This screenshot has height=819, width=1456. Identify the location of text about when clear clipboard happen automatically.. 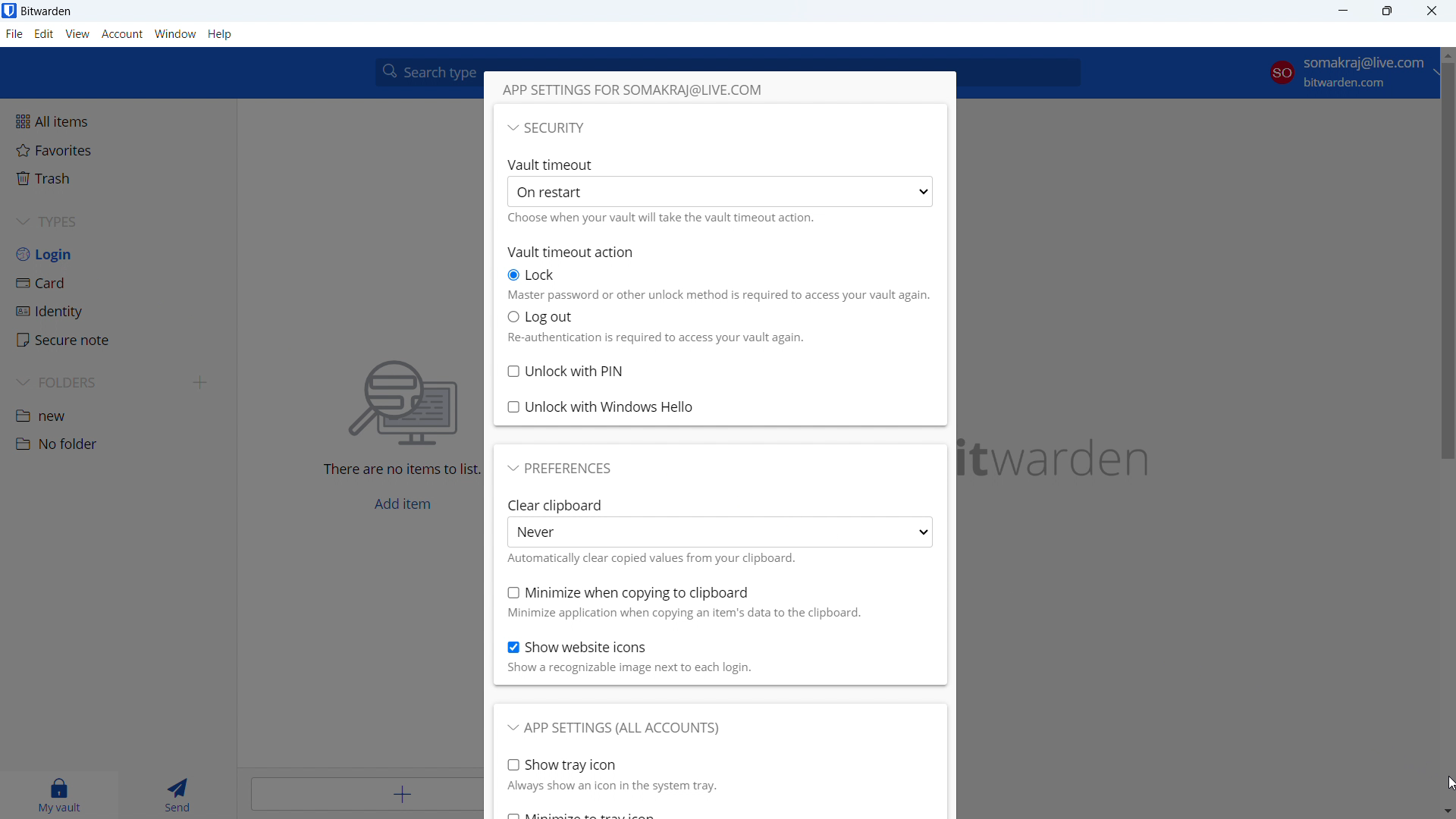
(662, 560).